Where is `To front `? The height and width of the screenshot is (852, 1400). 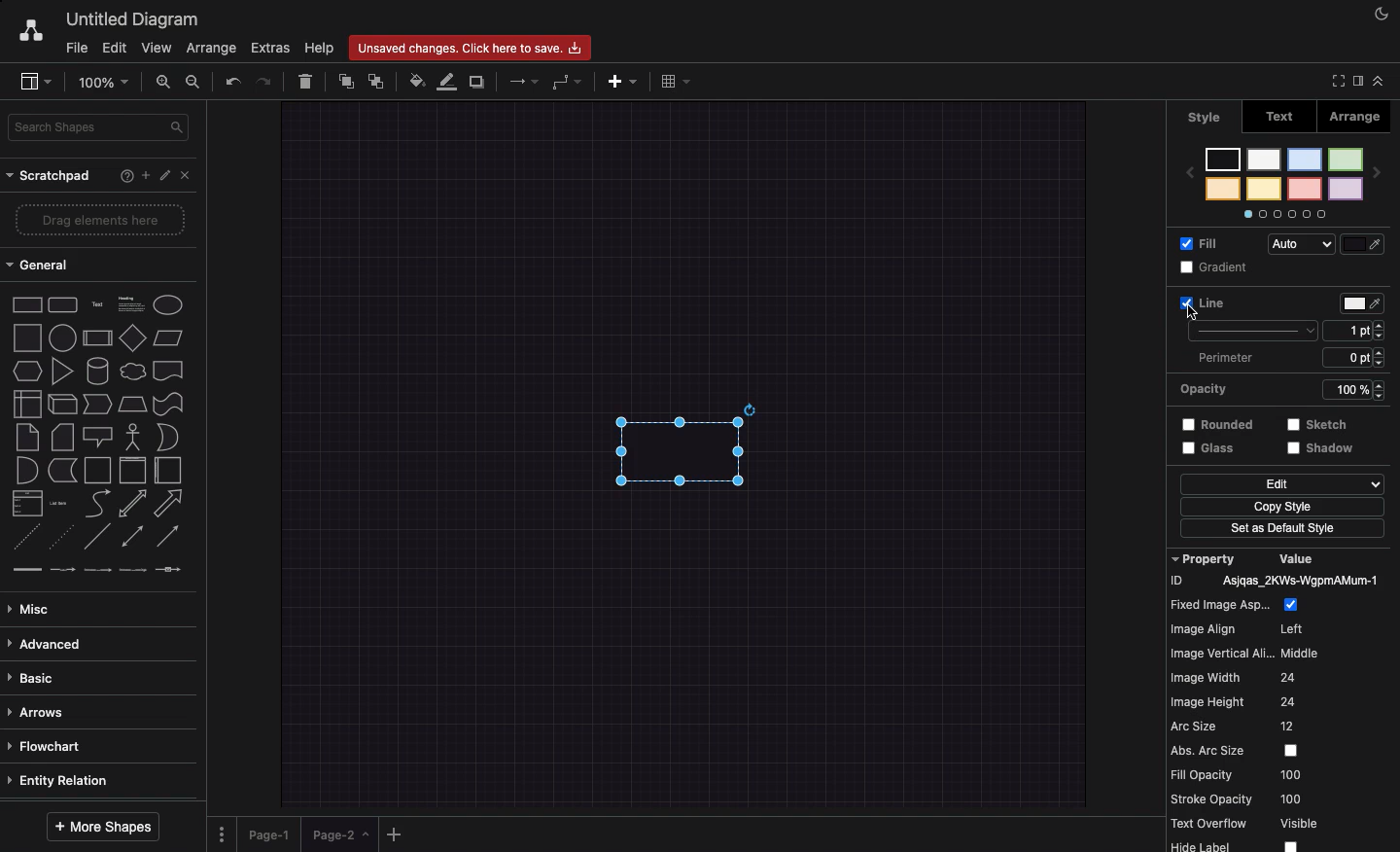
To front  is located at coordinates (345, 79).